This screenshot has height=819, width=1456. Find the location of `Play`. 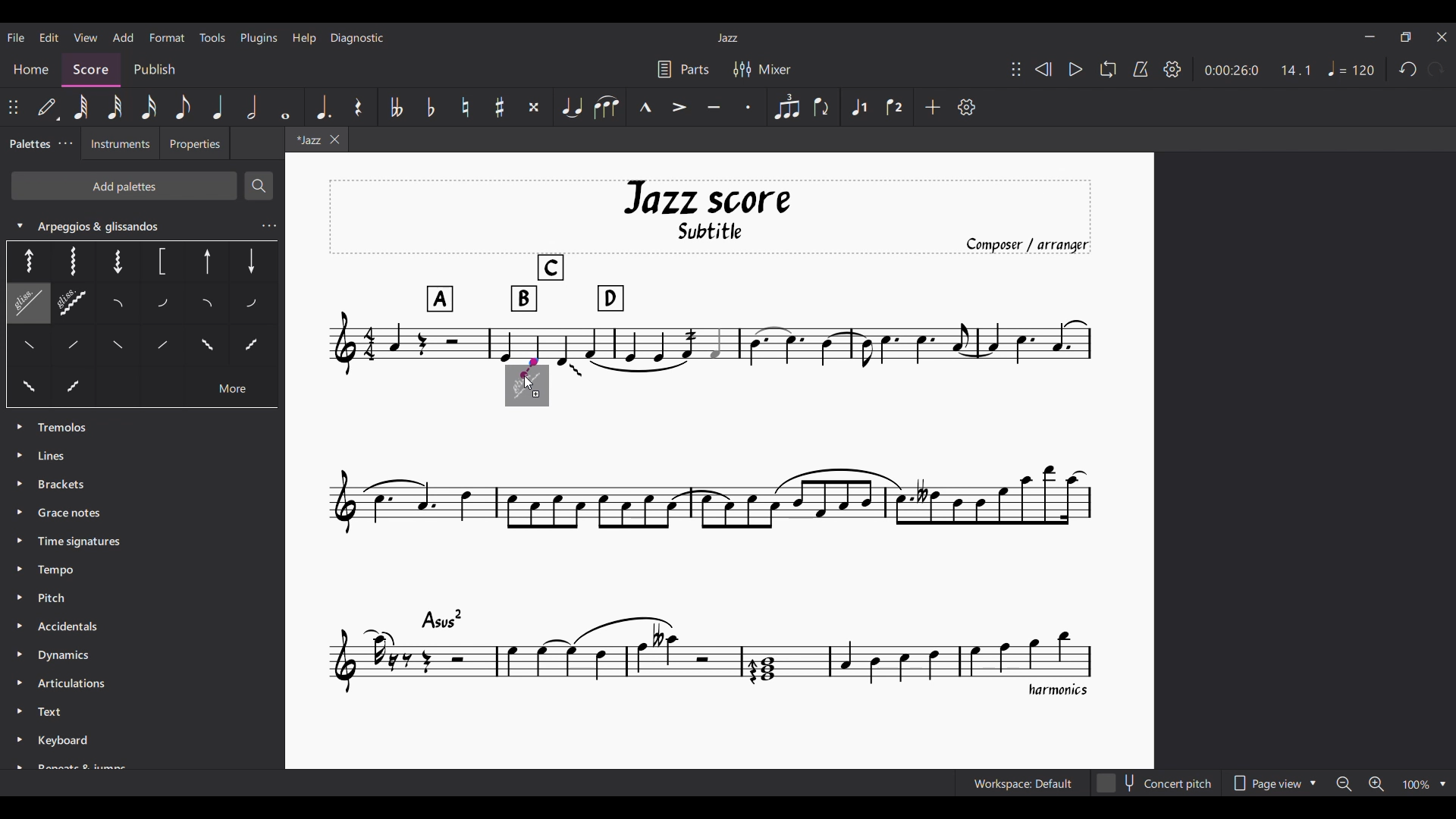

Play is located at coordinates (1075, 70).